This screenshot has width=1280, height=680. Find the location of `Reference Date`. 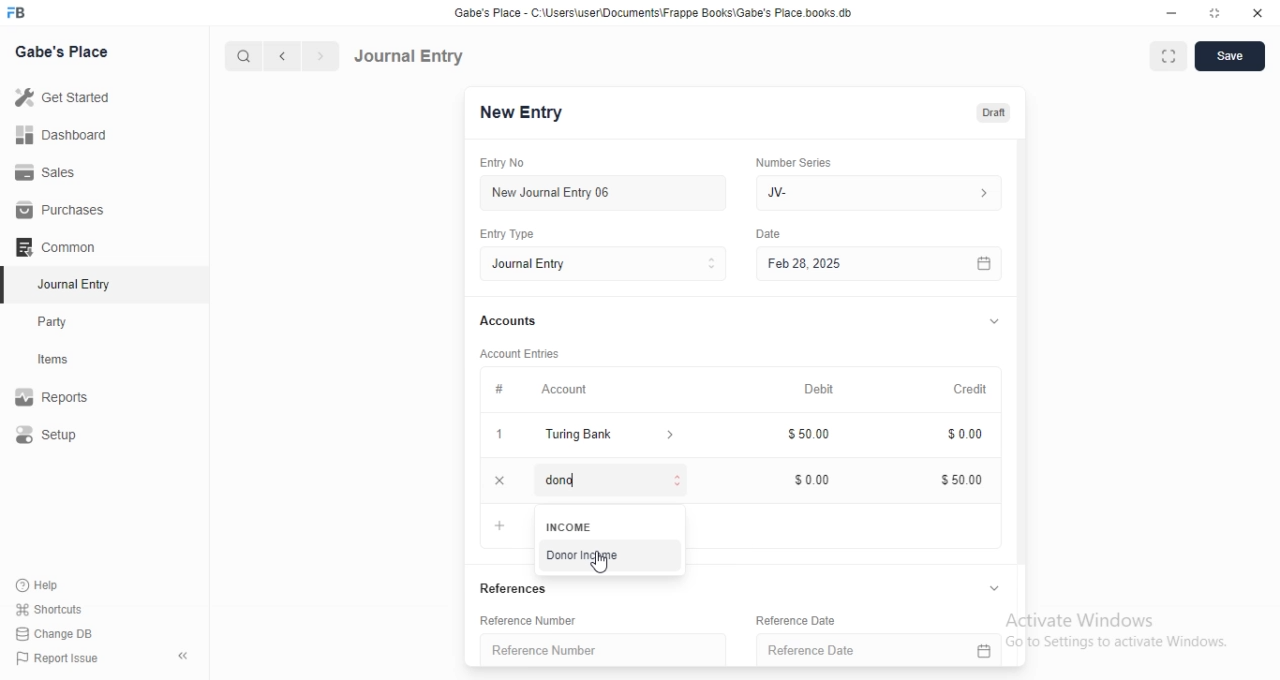

Reference Date is located at coordinates (858, 651).